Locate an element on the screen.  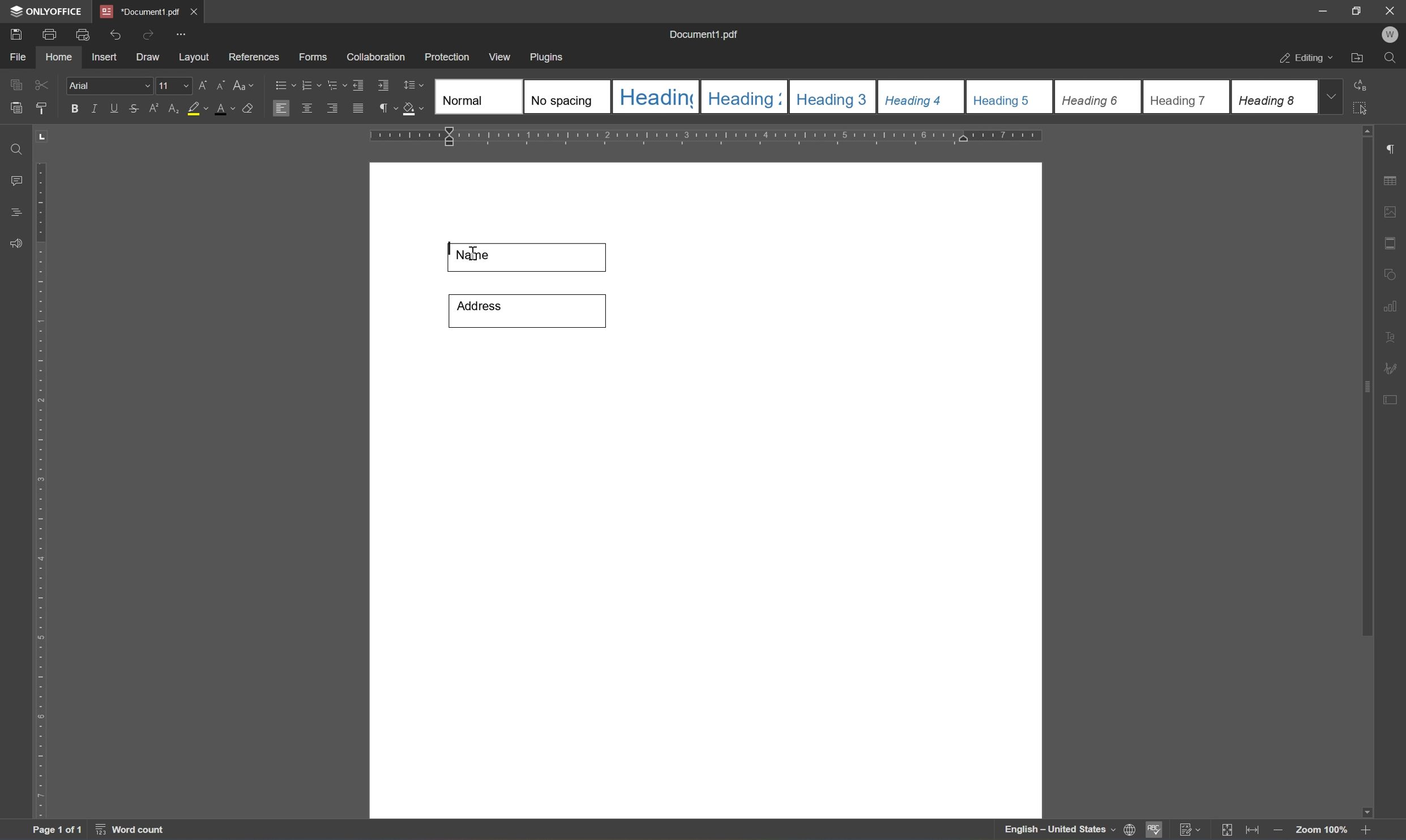
find is located at coordinates (12, 147).